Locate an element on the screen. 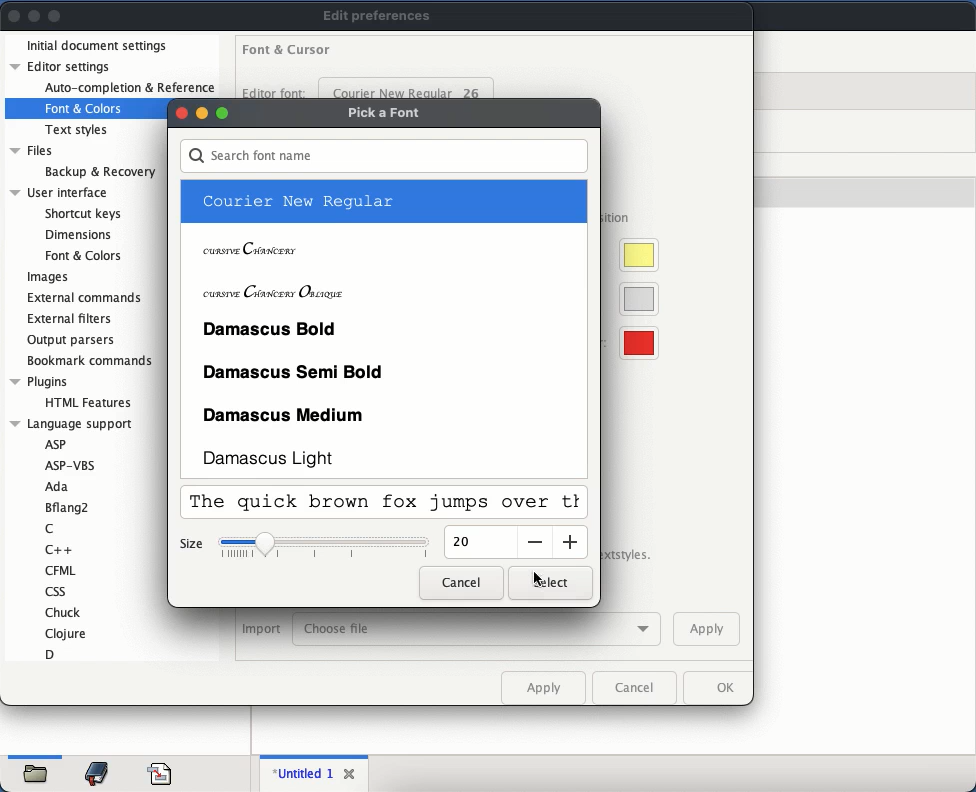 This screenshot has height=792, width=976. external filters is located at coordinates (72, 320).